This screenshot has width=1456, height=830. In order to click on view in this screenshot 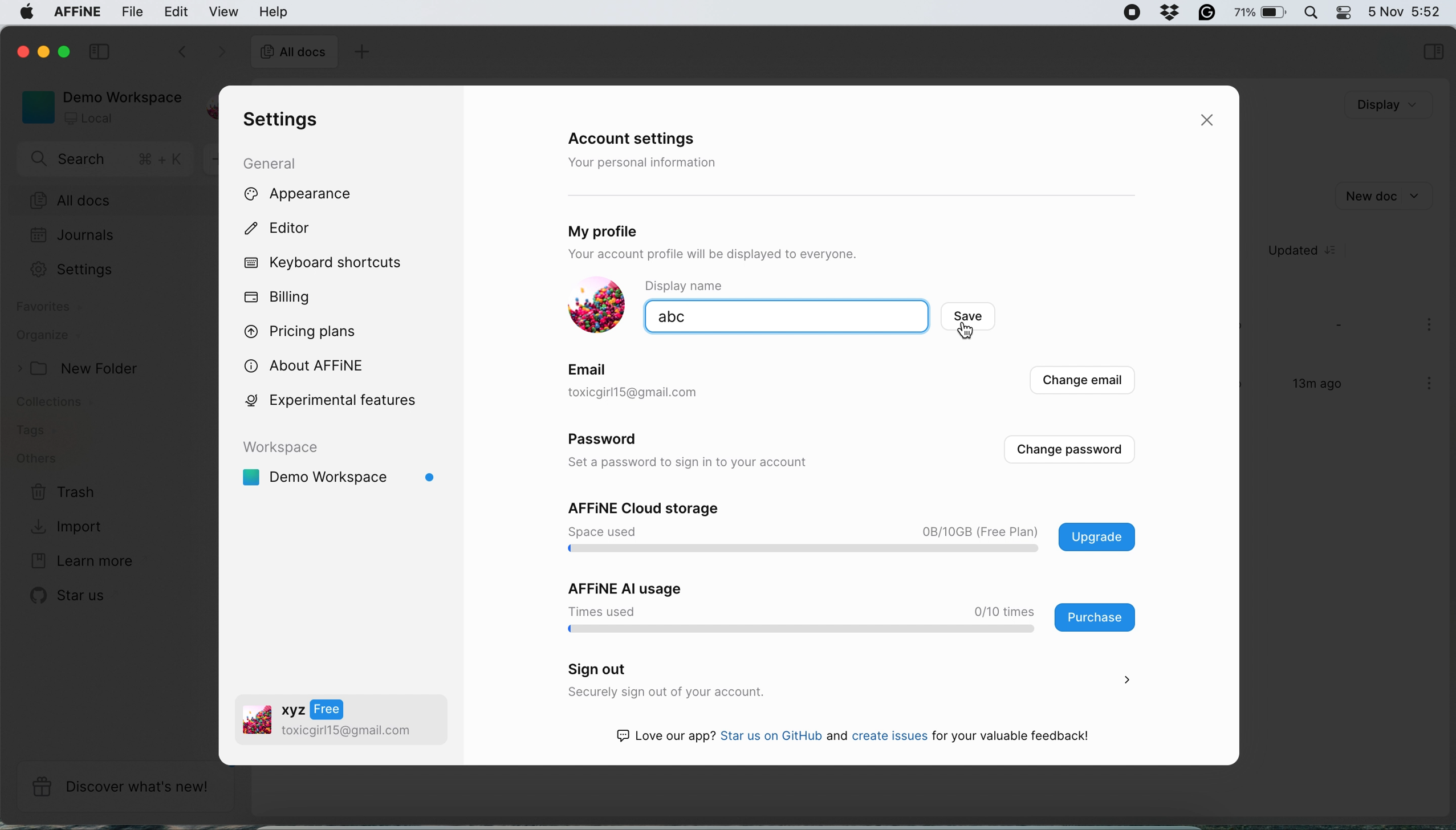, I will do `click(226, 11)`.